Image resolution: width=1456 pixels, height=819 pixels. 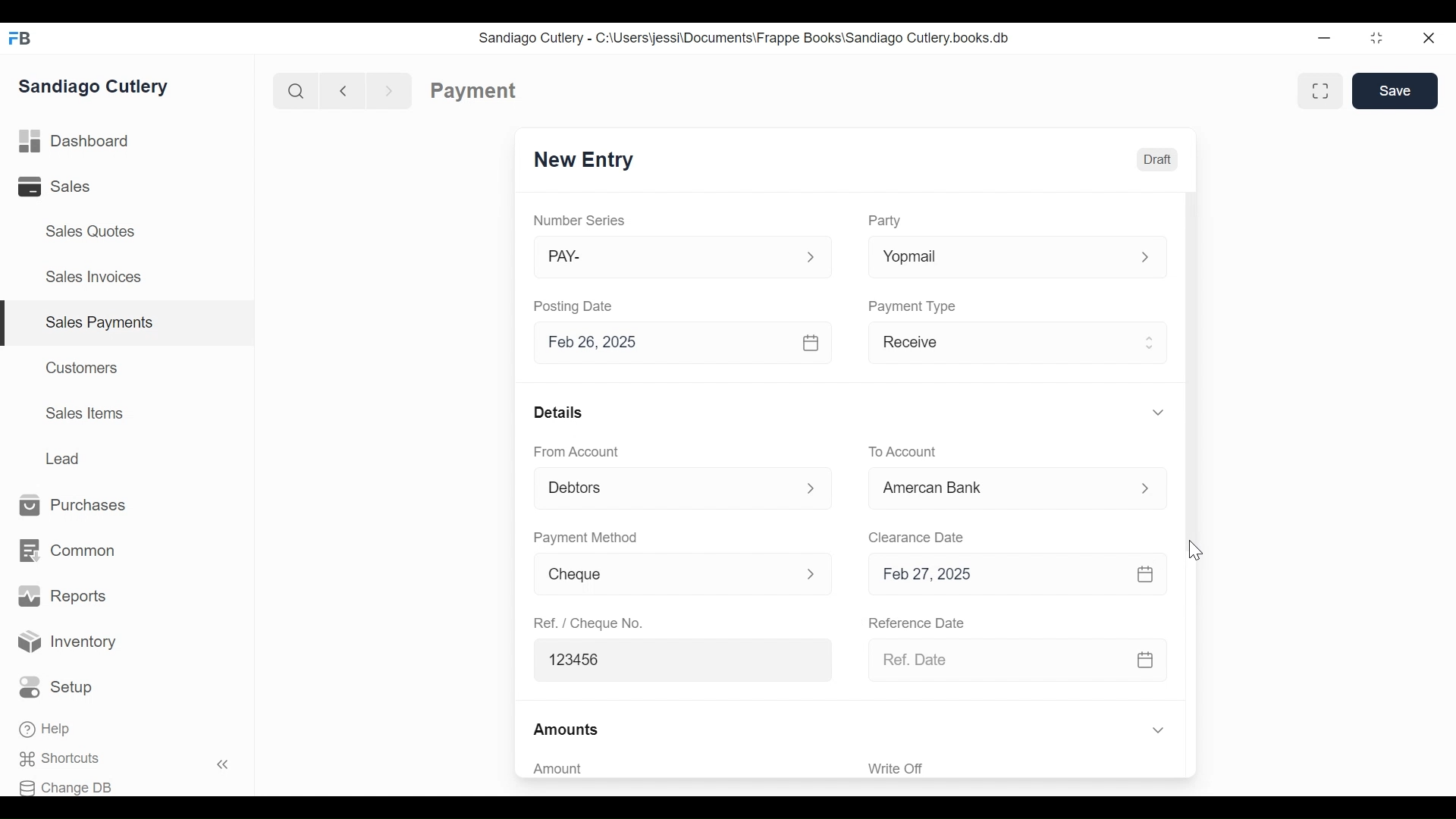 What do you see at coordinates (47, 730) in the screenshot?
I see `Help` at bounding box center [47, 730].